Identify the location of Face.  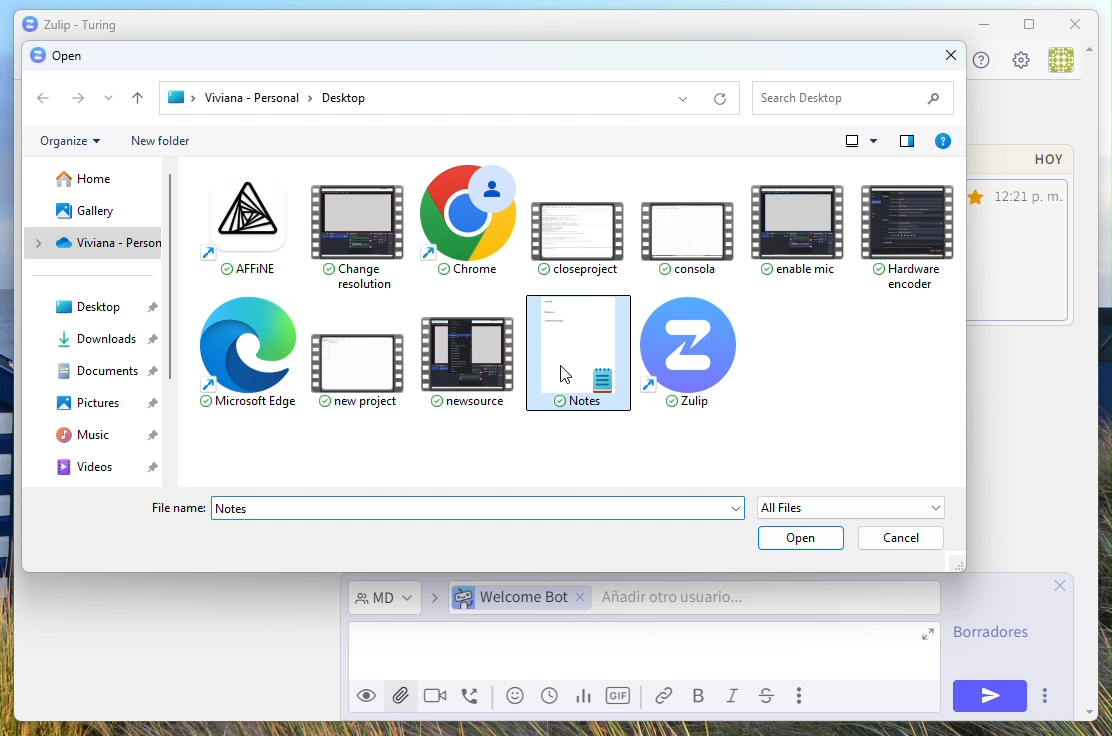
(518, 696).